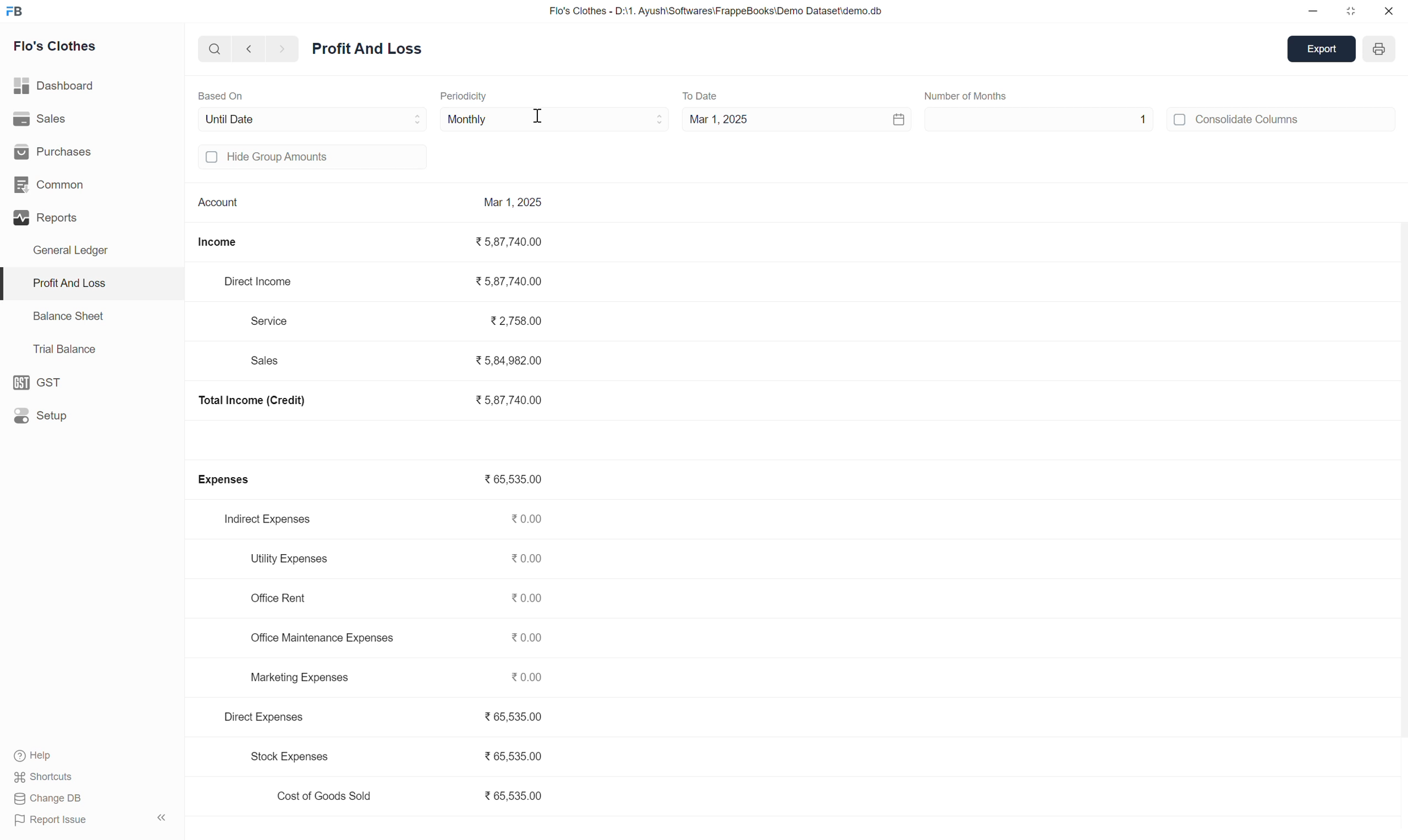 Image resolution: width=1408 pixels, height=840 pixels. I want to click on Setup, so click(48, 413).